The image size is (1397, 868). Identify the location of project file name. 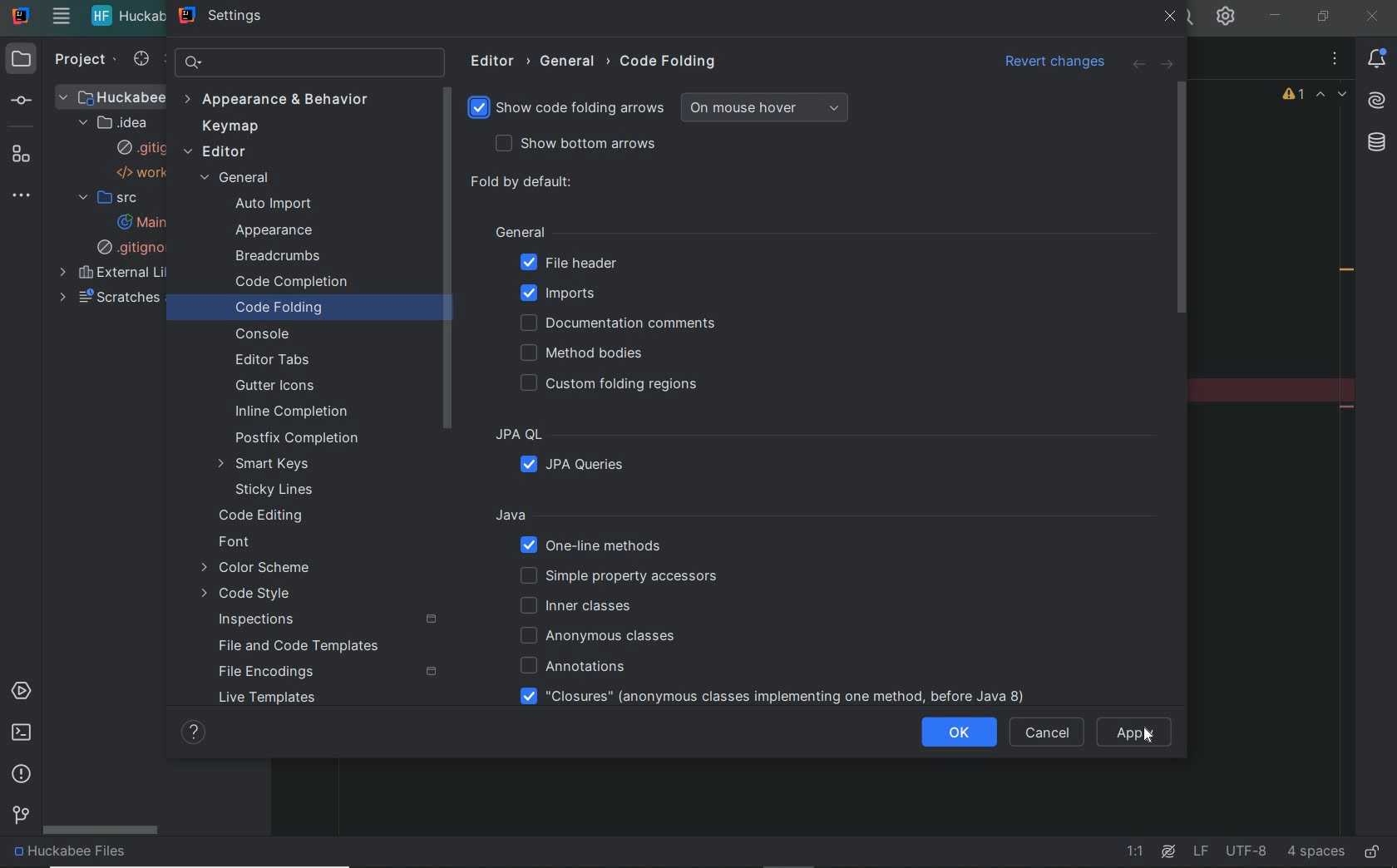
(121, 96).